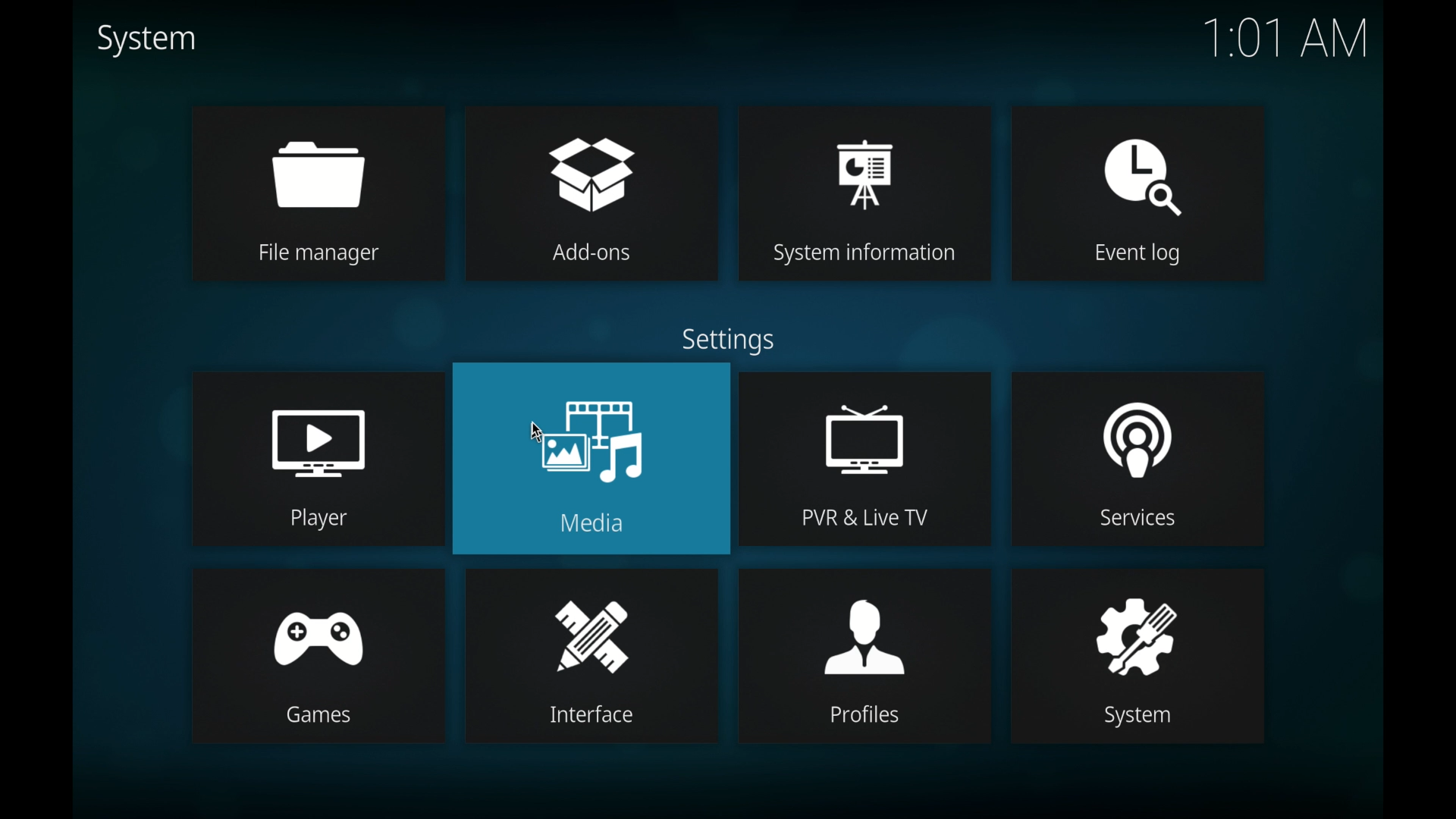 The width and height of the screenshot is (1456, 819). I want to click on PVR & Live TV, so click(867, 519).